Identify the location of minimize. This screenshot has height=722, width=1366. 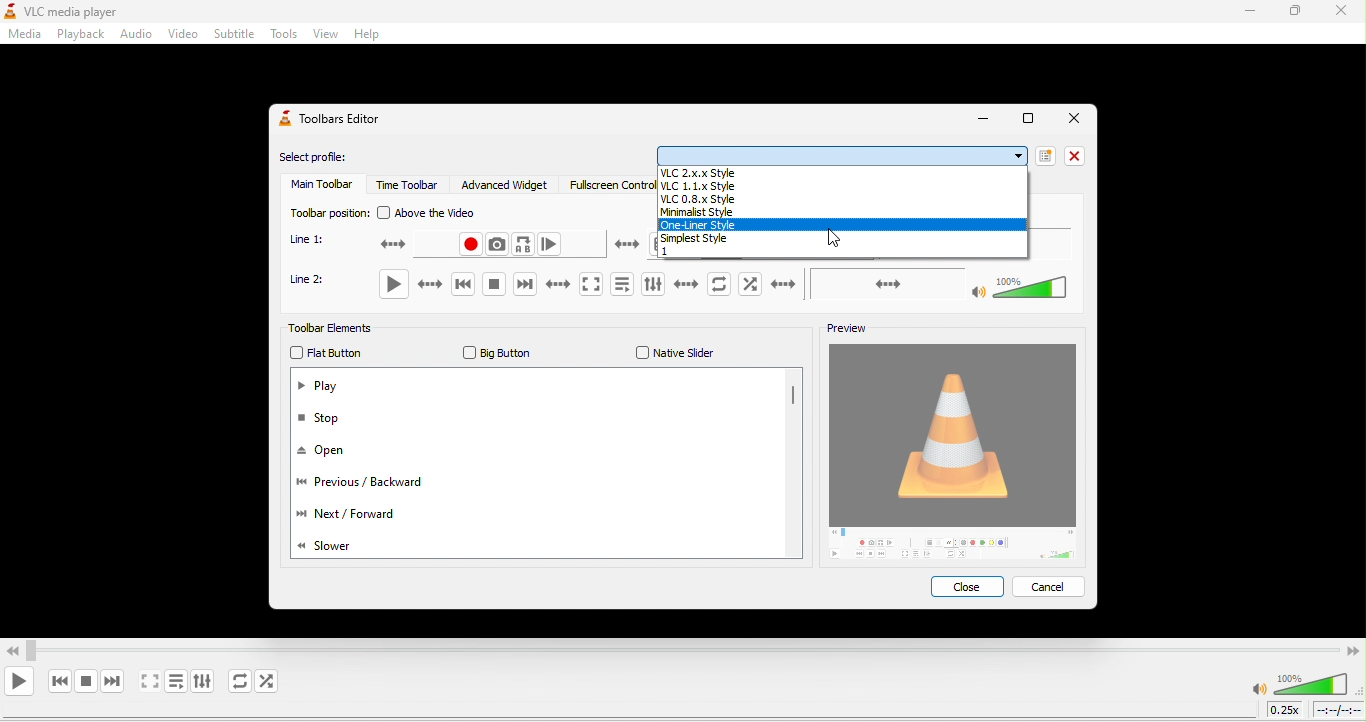
(1243, 13).